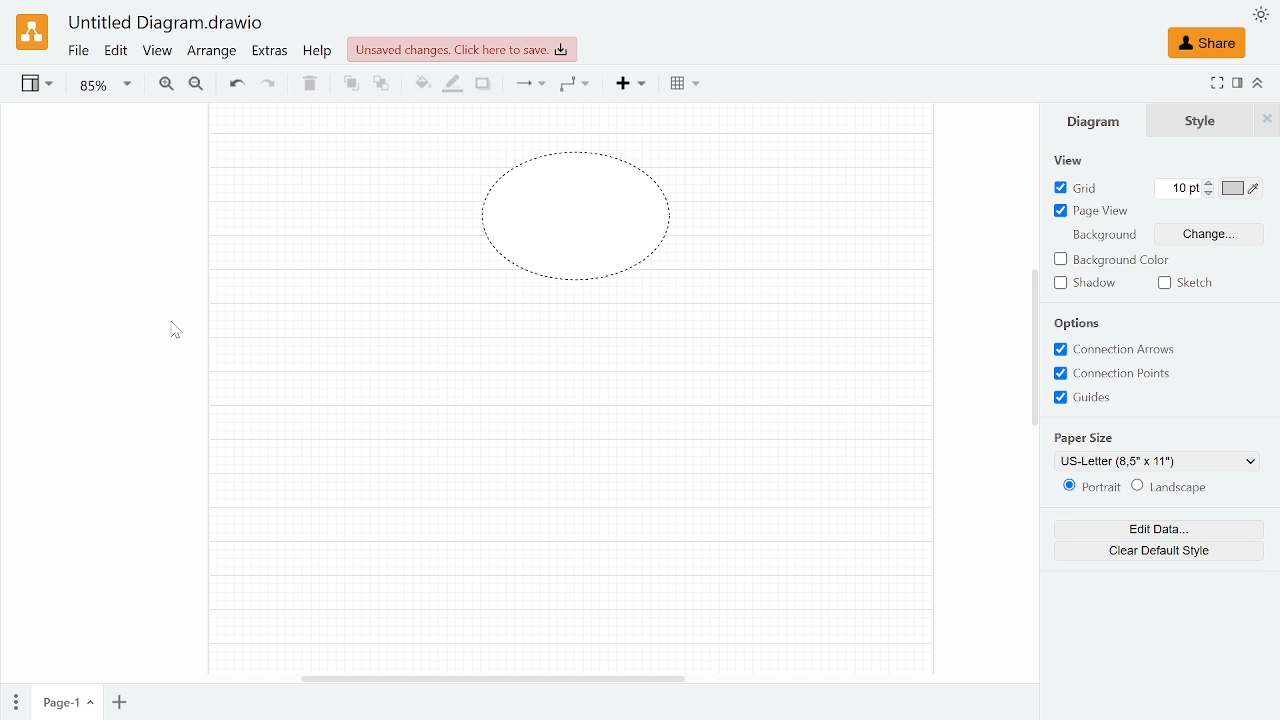  What do you see at coordinates (1268, 120) in the screenshot?
I see `Close` at bounding box center [1268, 120].